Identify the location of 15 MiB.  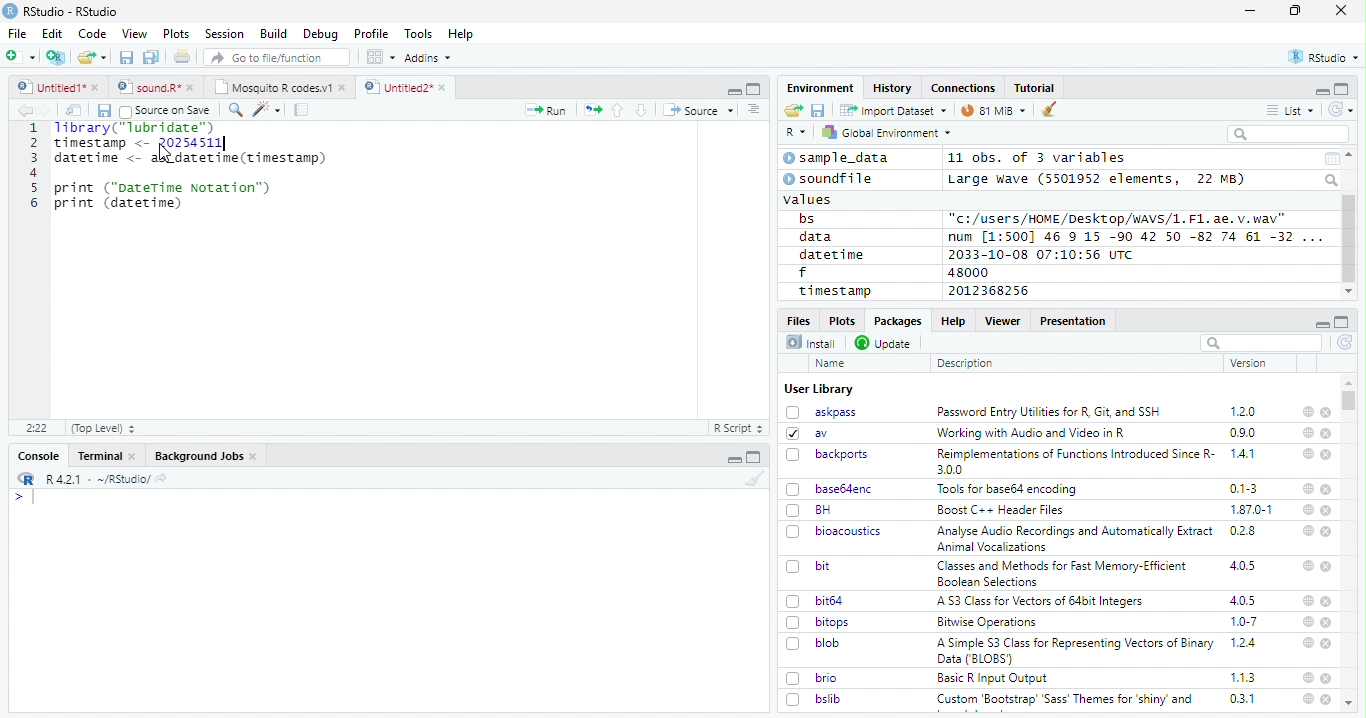
(994, 110).